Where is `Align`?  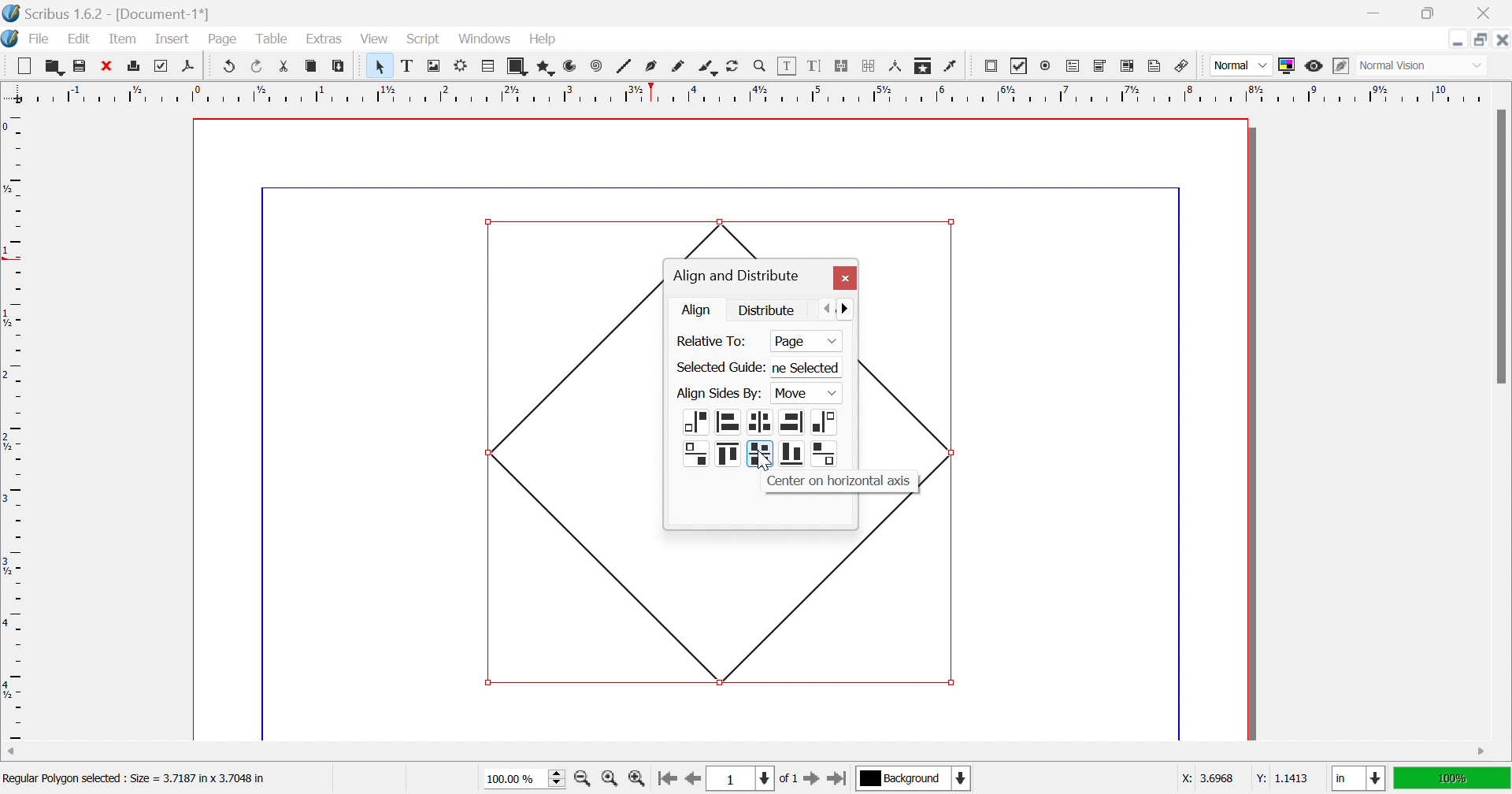 Align is located at coordinates (699, 310).